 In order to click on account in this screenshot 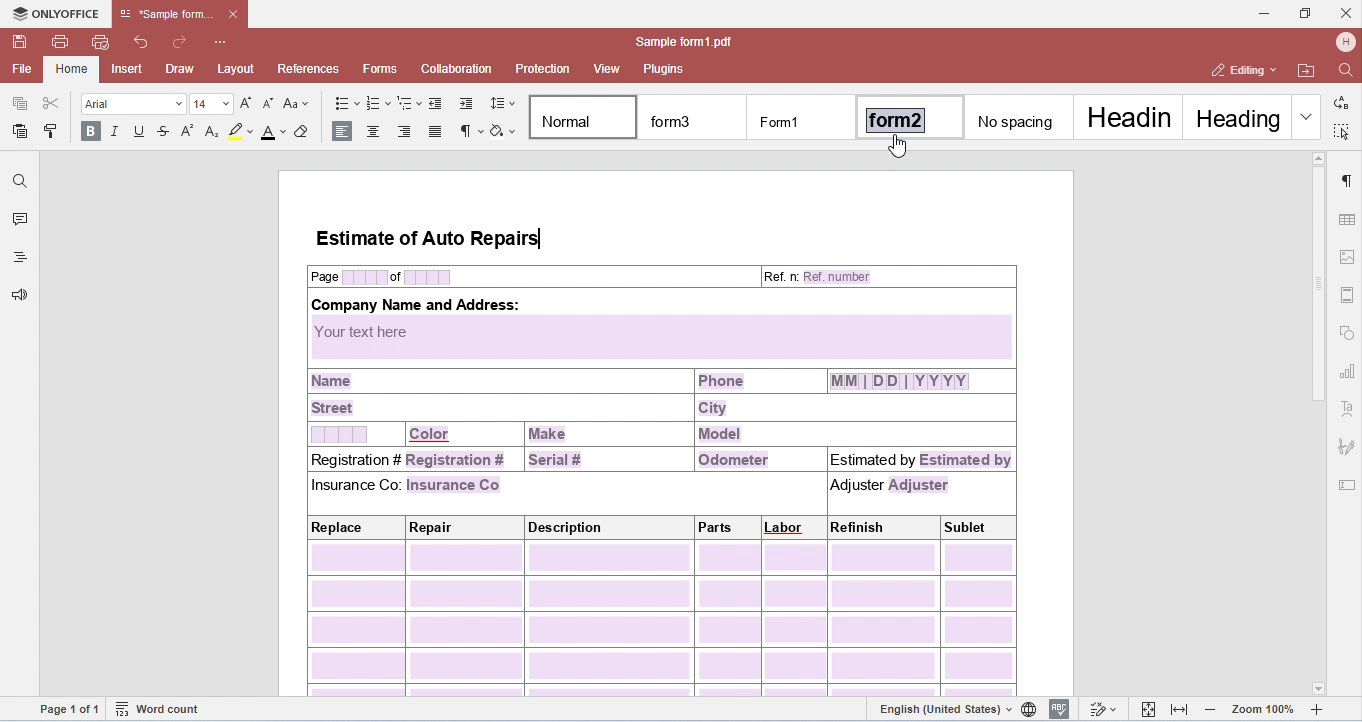, I will do `click(1345, 42)`.